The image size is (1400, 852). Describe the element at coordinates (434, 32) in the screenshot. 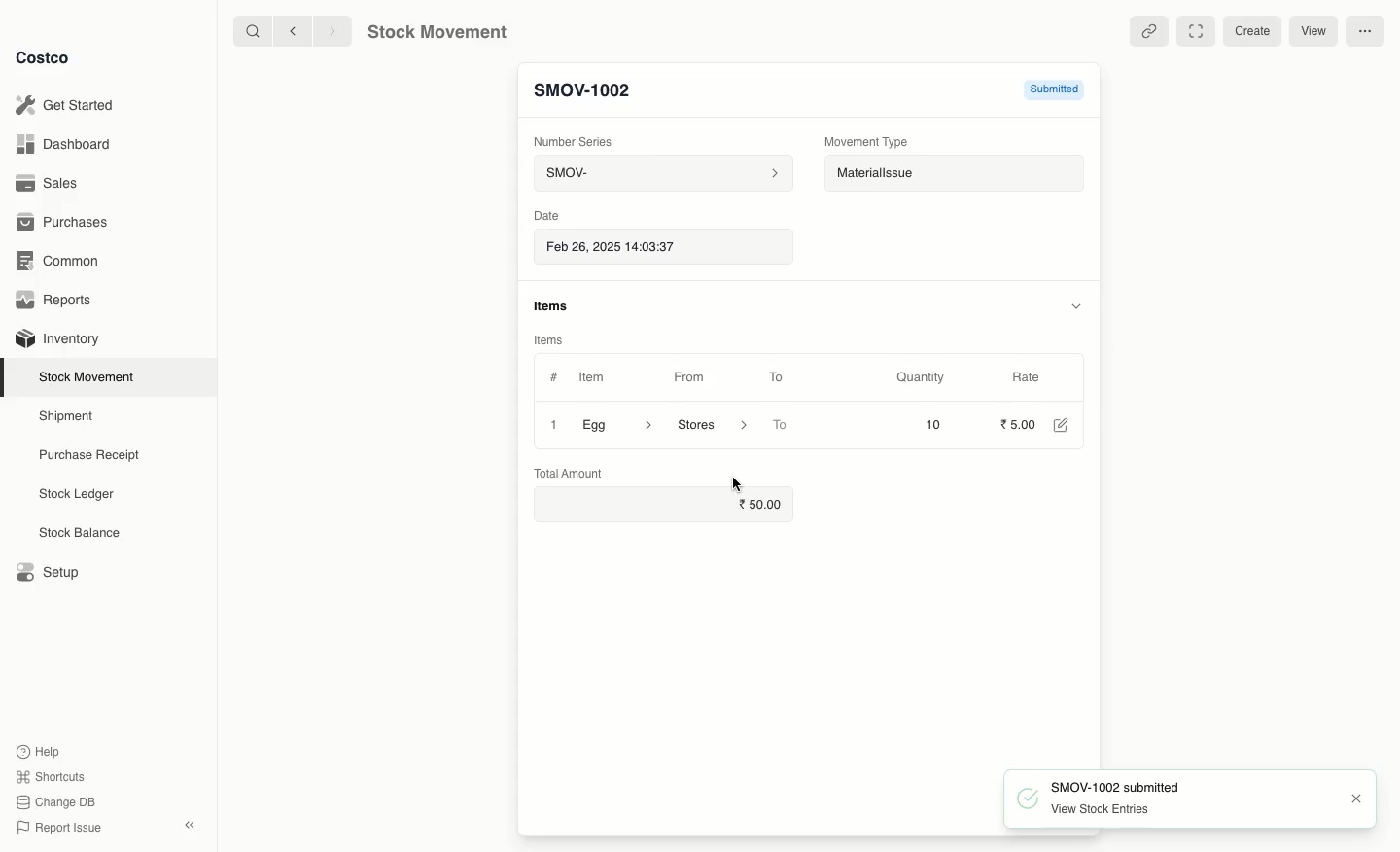

I see `Stock Movement` at that location.